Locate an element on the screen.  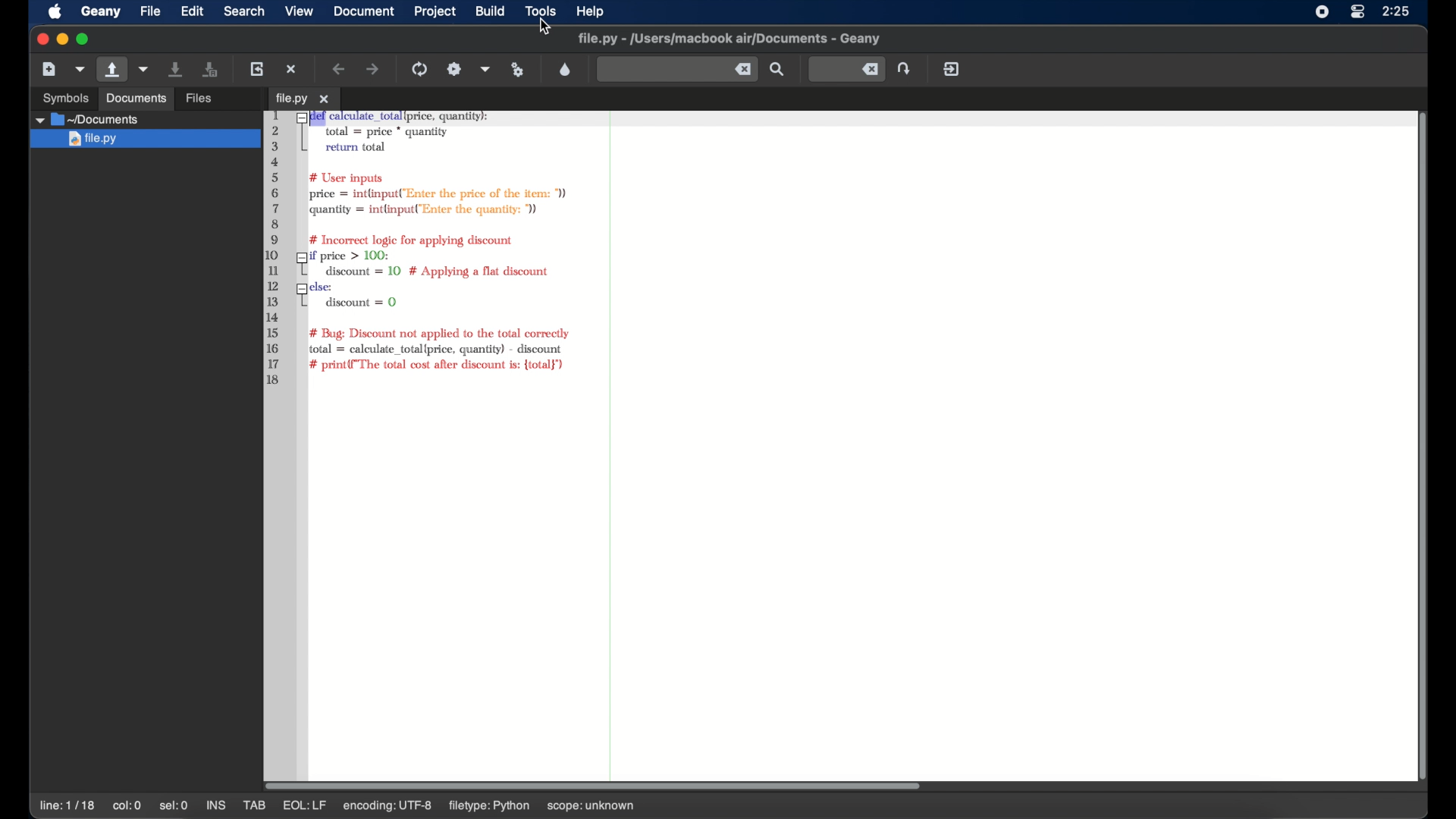
tab is located at coordinates (256, 805).